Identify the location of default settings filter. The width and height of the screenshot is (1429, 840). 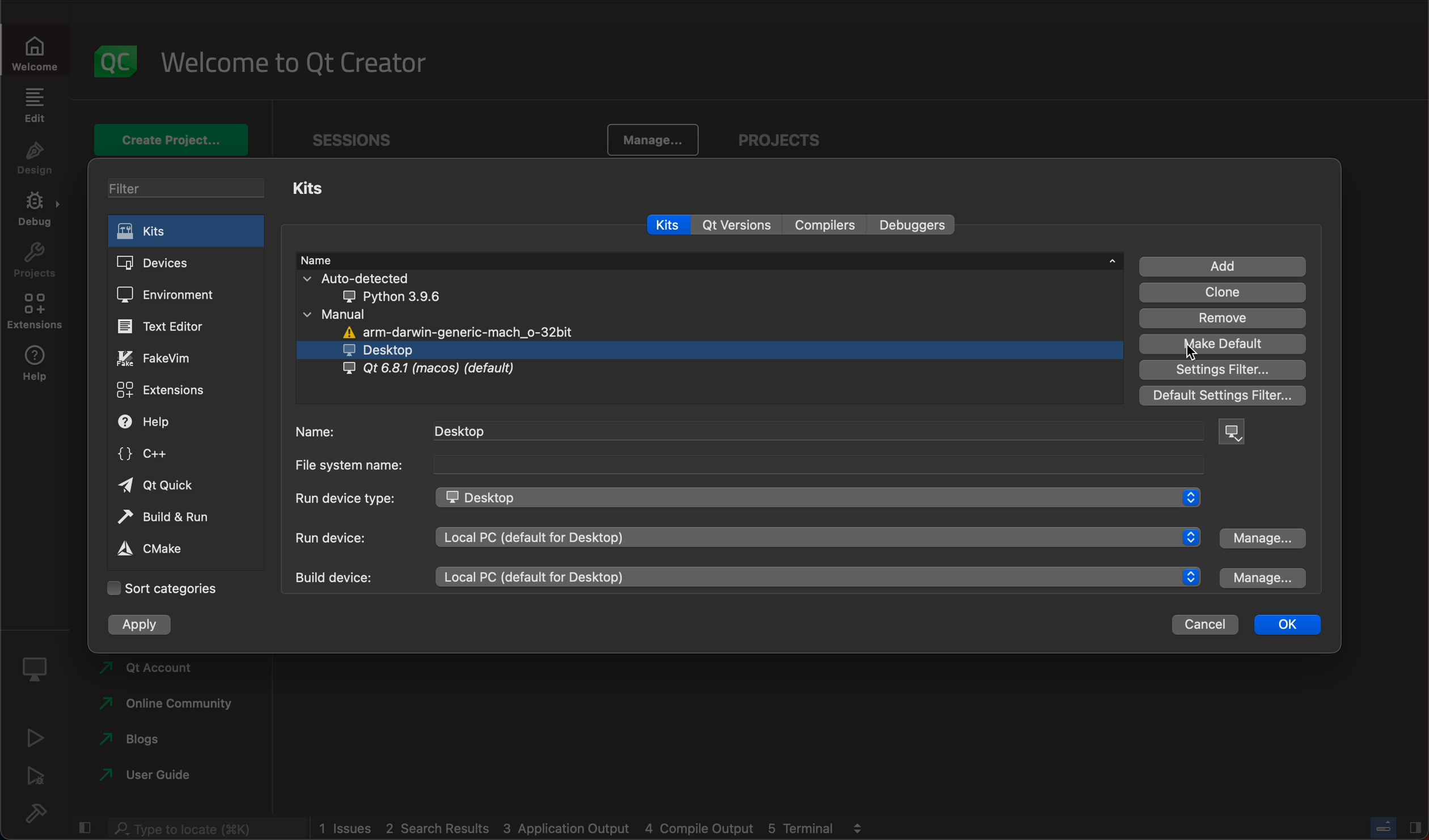
(1221, 395).